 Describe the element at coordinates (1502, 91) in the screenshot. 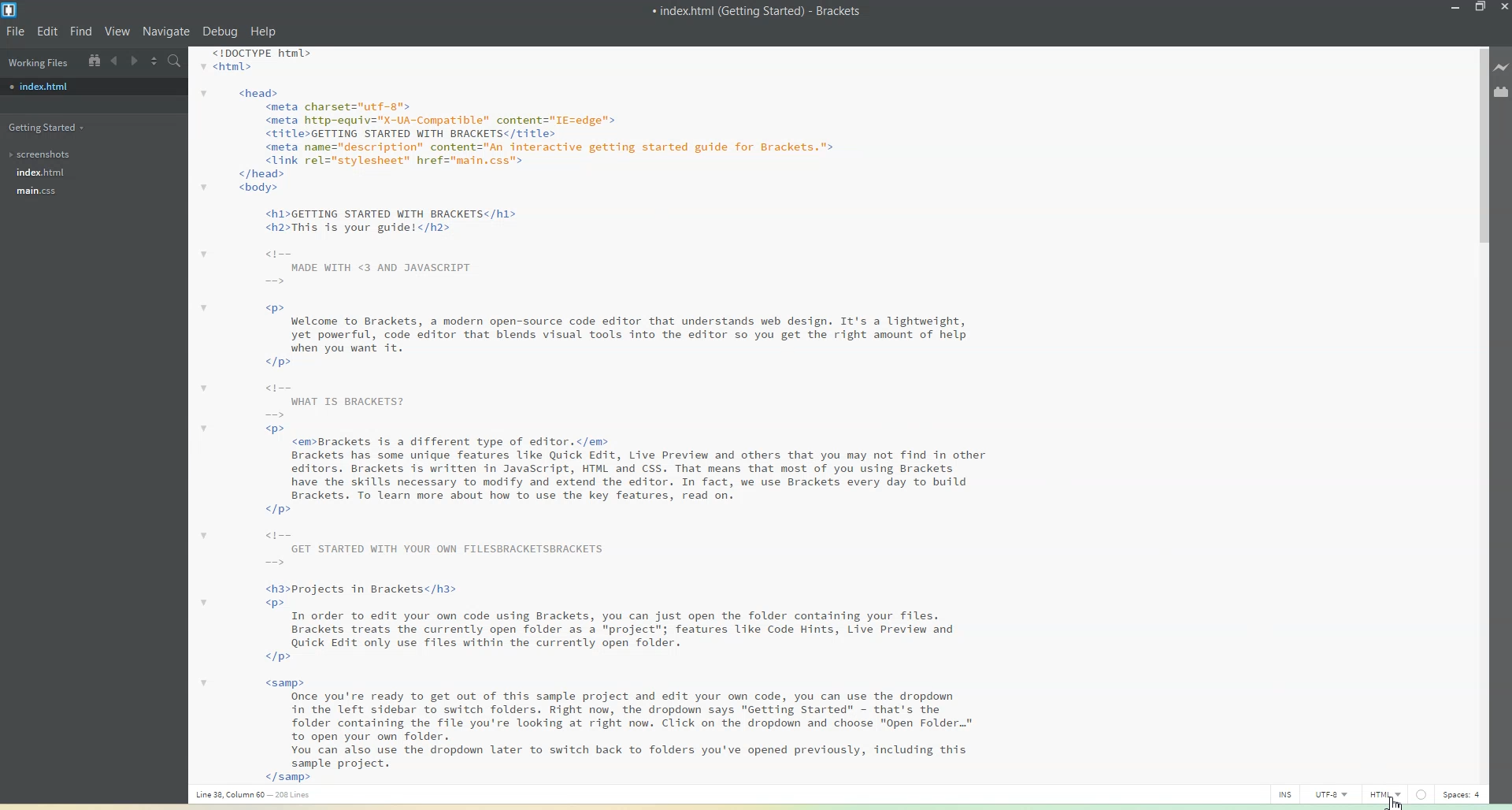

I see `Extensions manager` at that location.